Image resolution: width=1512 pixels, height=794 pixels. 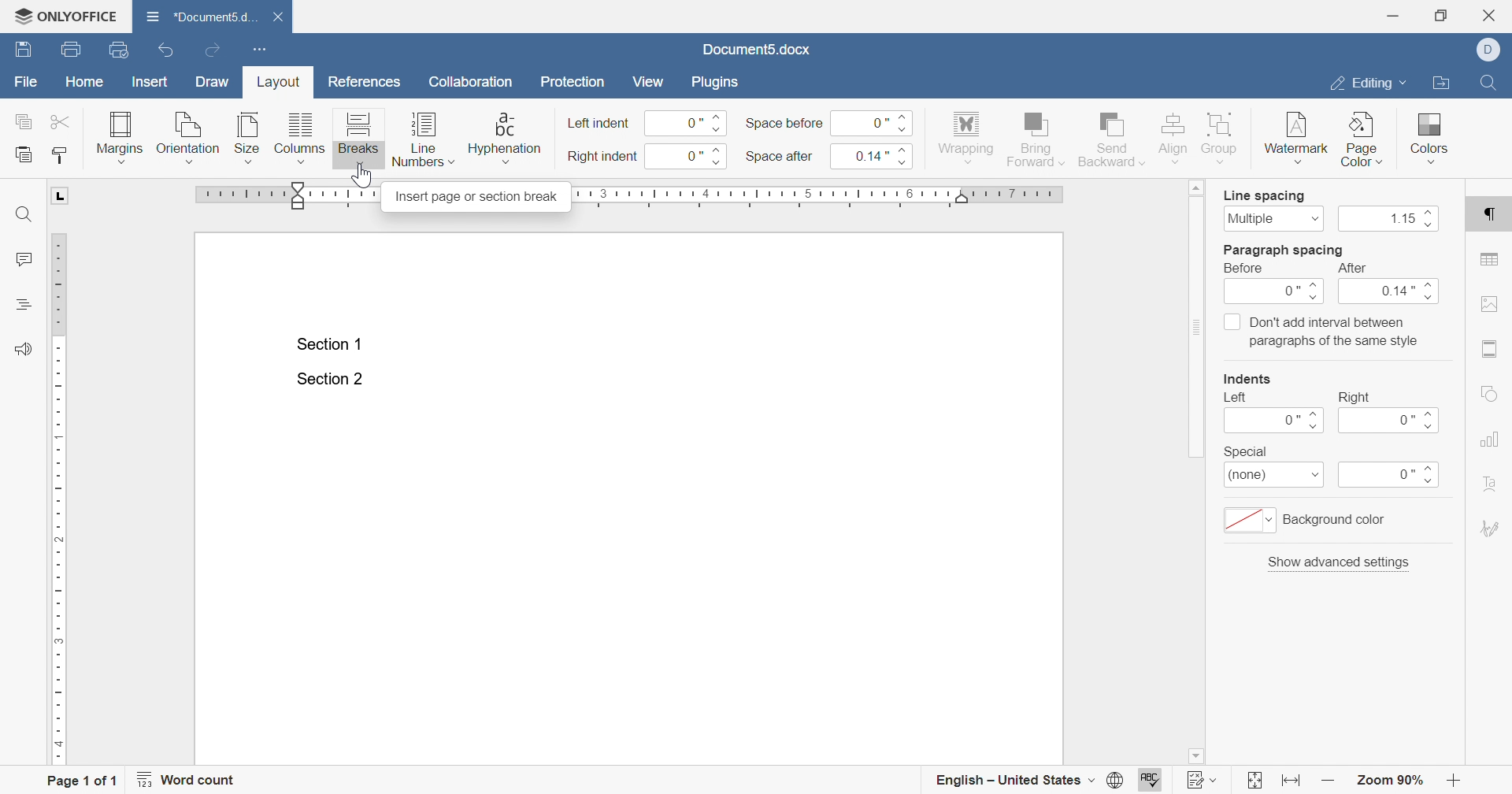 What do you see at coordinates (603, 157) in the screenshot?
I see `right indent` at bounding box center [603, 157].